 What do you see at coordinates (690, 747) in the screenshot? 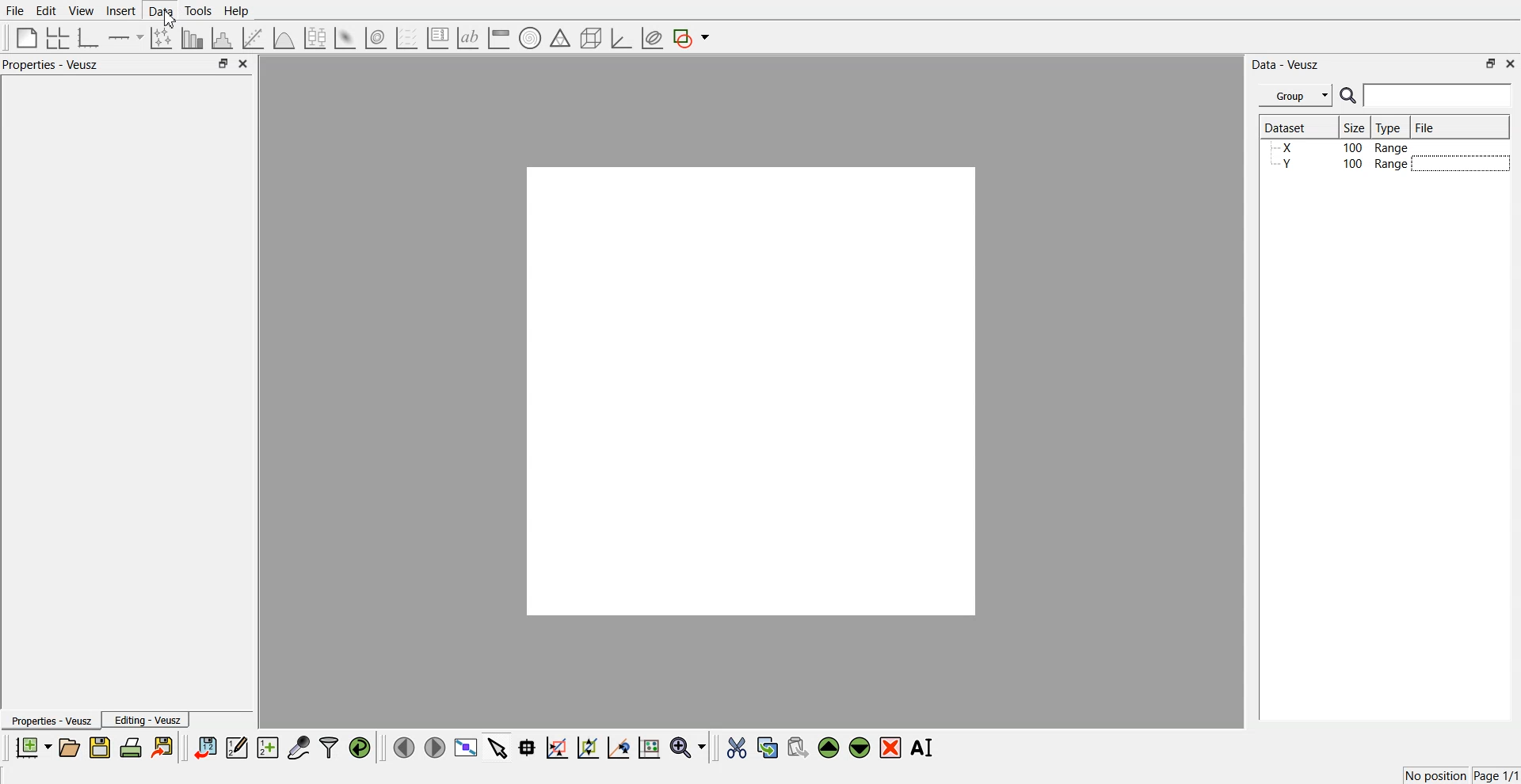
I see `Zoom function menu` at bounding box center [690, 747].